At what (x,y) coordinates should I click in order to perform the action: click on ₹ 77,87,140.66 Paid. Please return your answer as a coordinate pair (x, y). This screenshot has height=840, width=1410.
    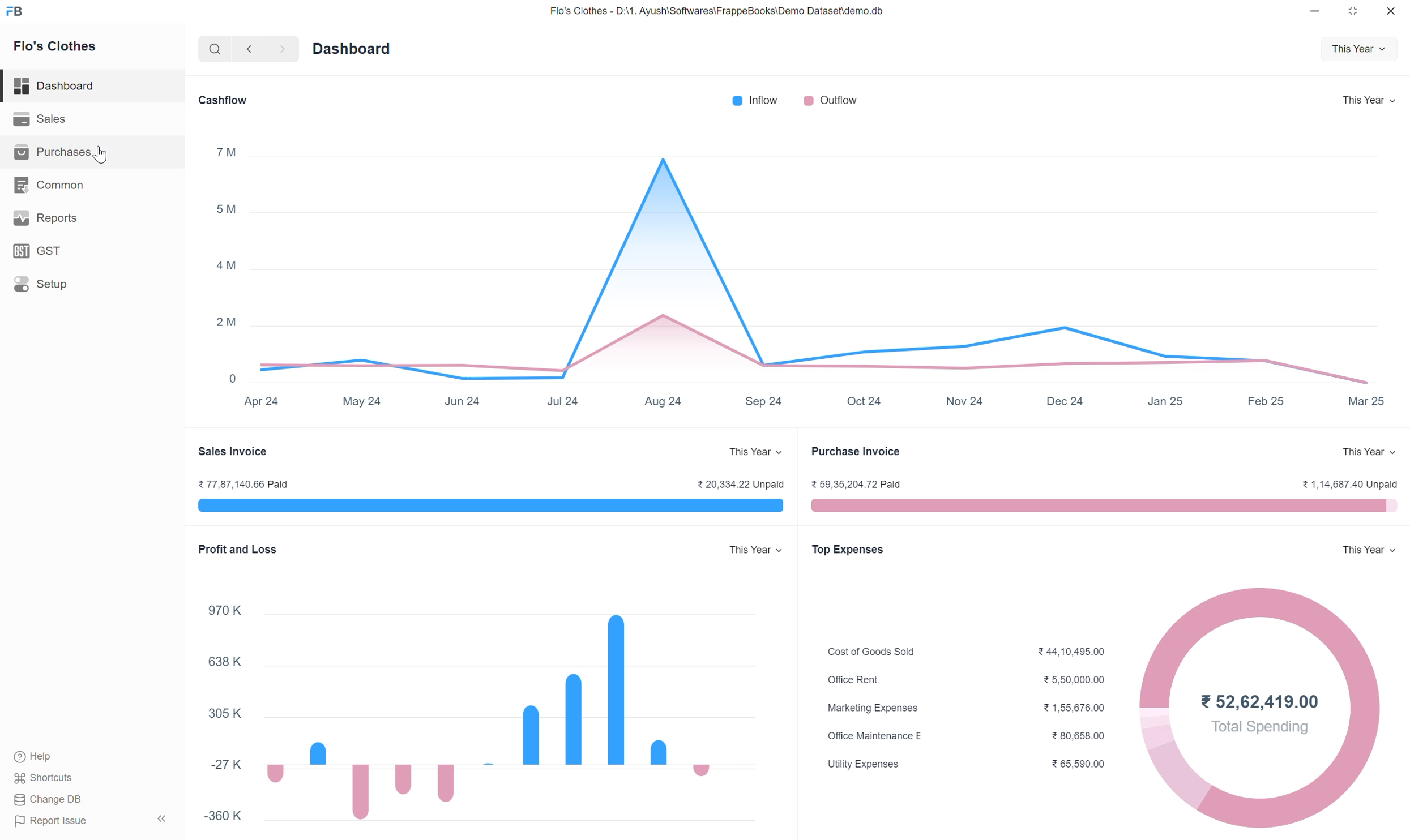
    Looking at the image, I should click on (242, 485).